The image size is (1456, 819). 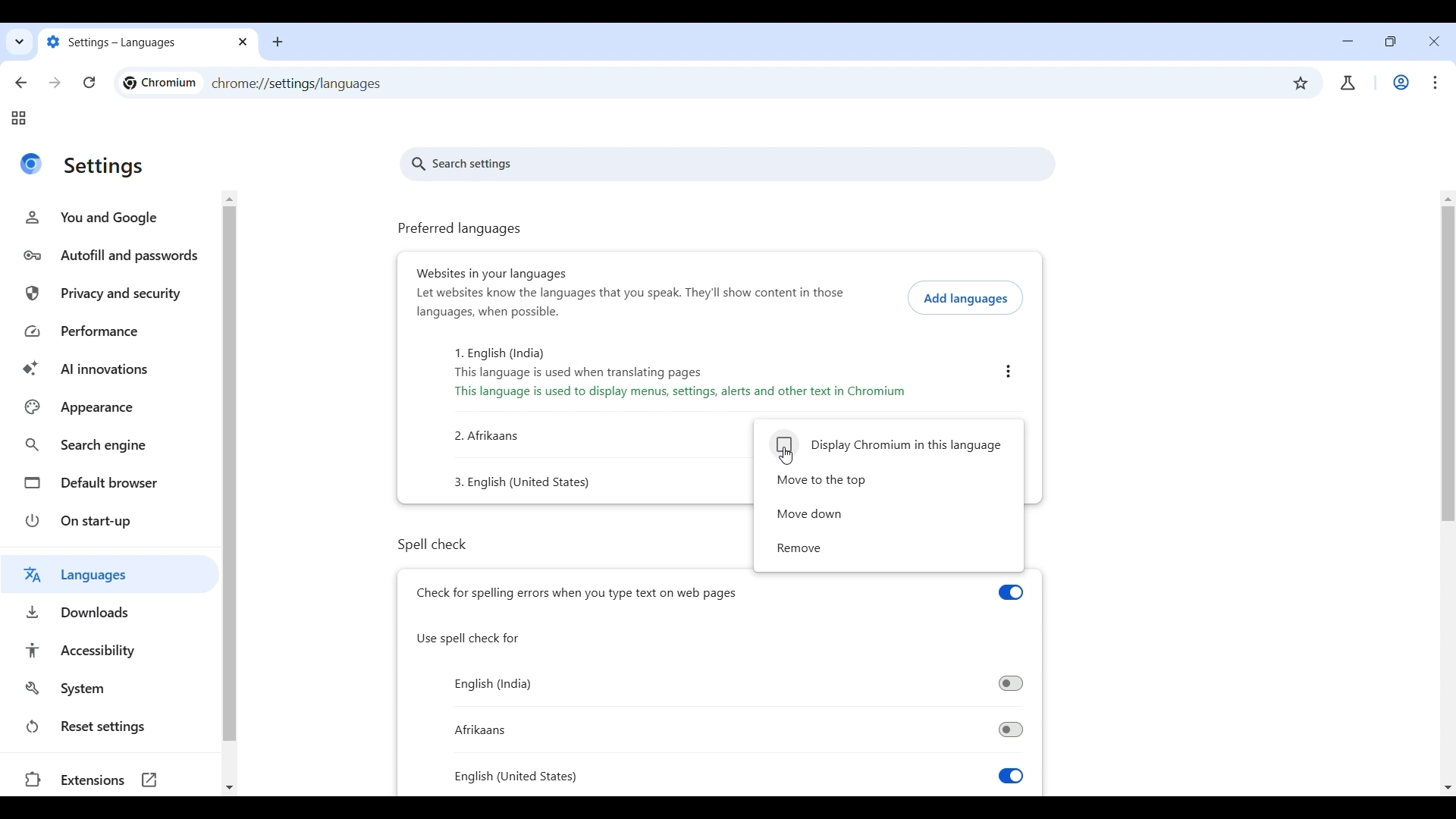 What do you see at coordinates (105, 168) in the screenshot?
I see `Title of current page` at bounding box center [105, 168].